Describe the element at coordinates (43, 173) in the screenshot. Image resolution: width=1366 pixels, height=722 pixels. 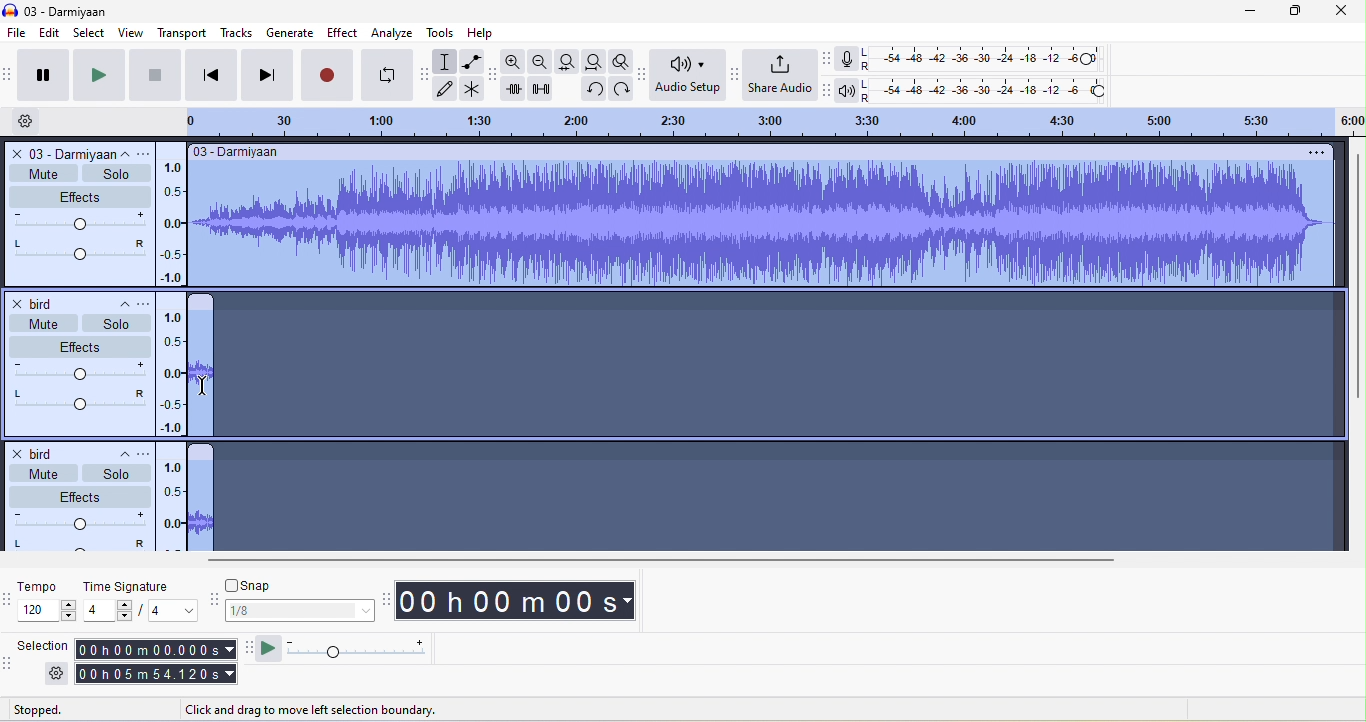
I see `mute` at that location.